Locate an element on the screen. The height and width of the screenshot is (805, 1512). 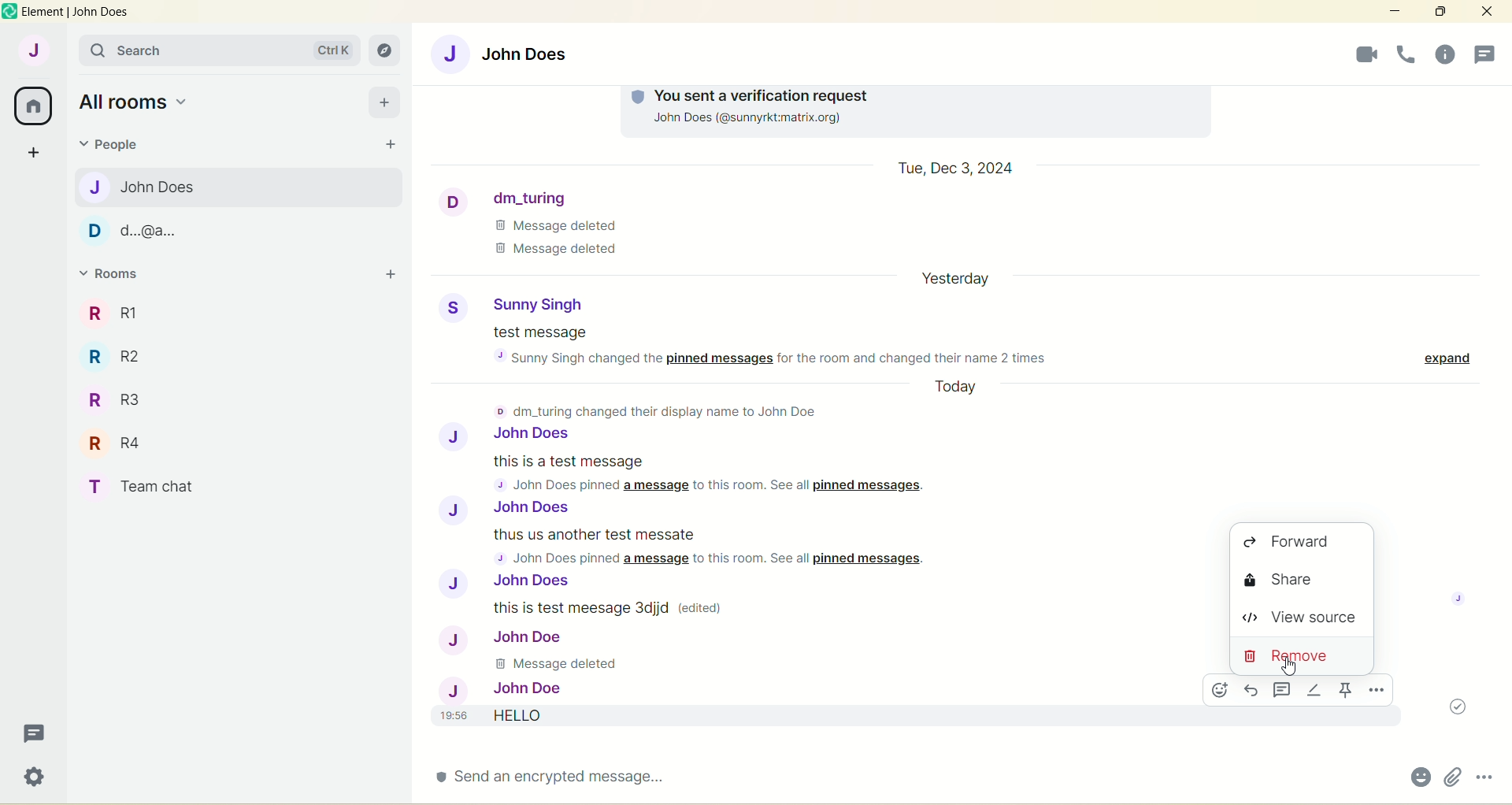
options is located at coordinates (1367, 688).